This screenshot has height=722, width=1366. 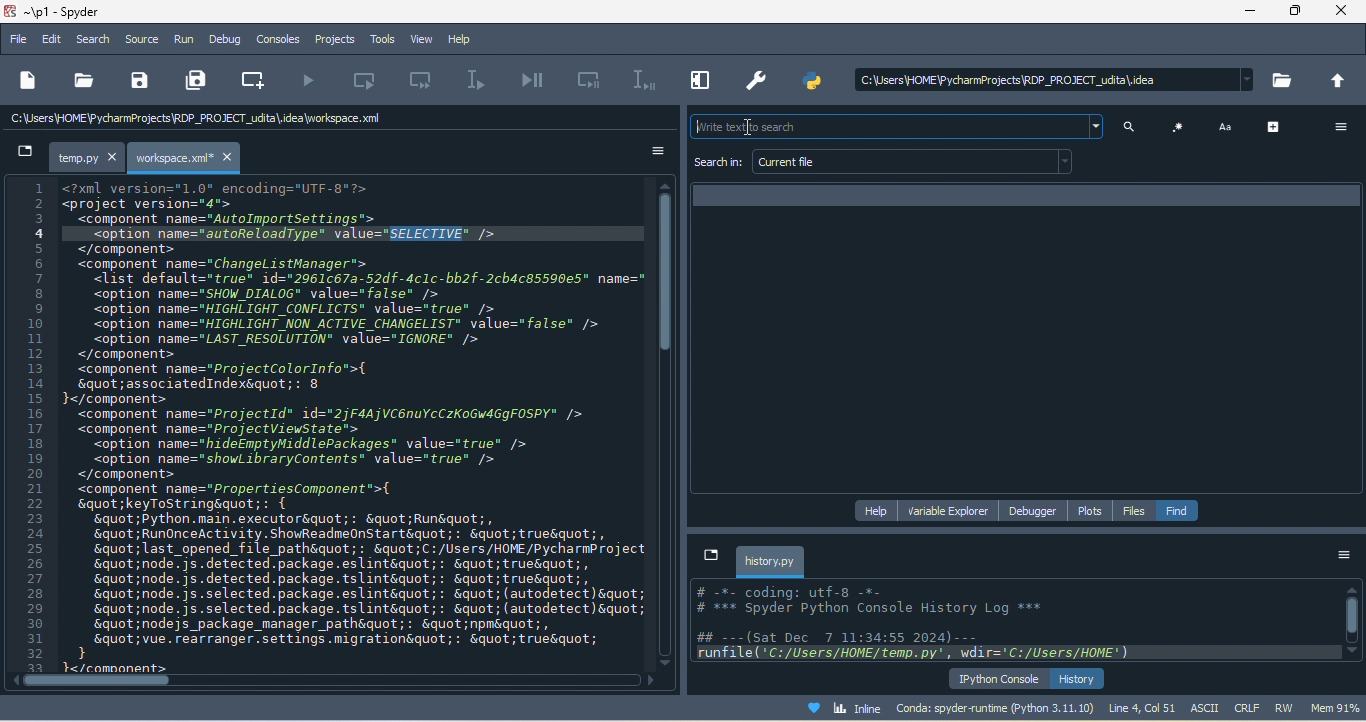 What do you see at coordinates (1252, 13) in the screenshot?
I see `minimize` at bounding box center [1252, 13].